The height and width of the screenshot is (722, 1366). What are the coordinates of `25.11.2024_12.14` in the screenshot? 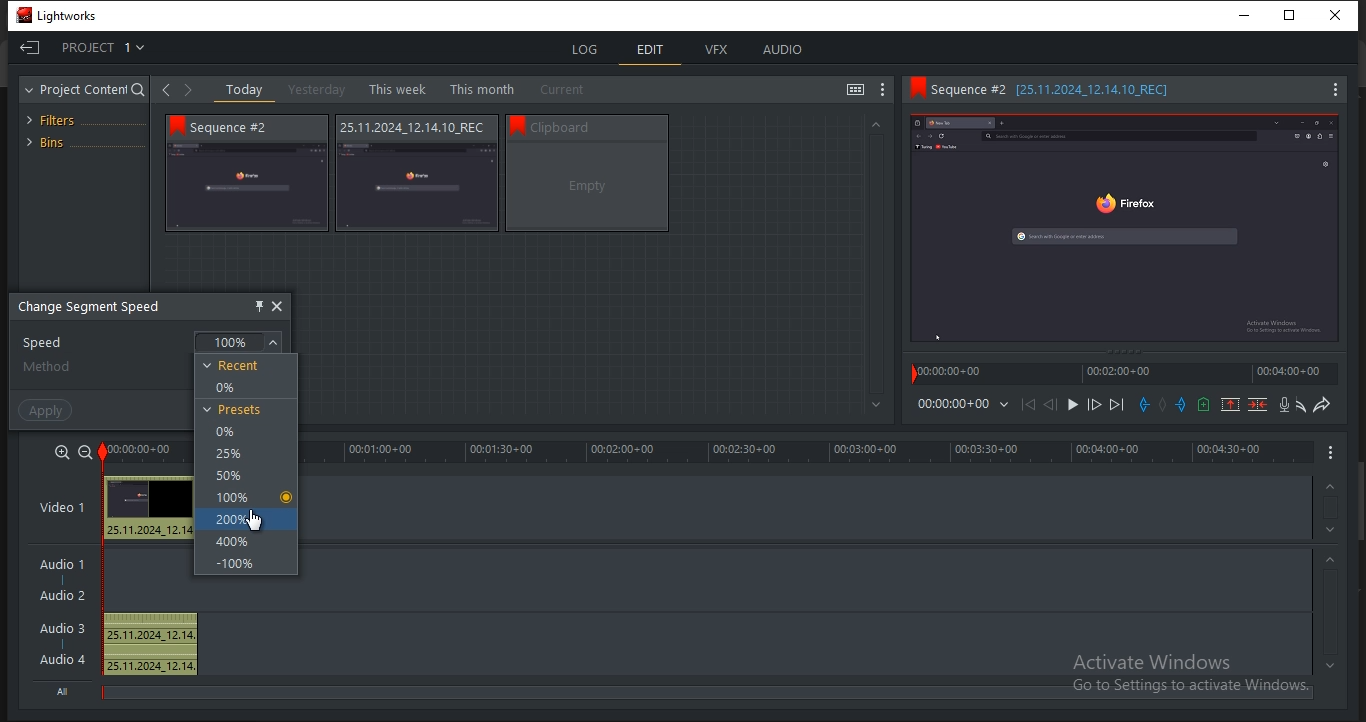 It's located at (152, 531).